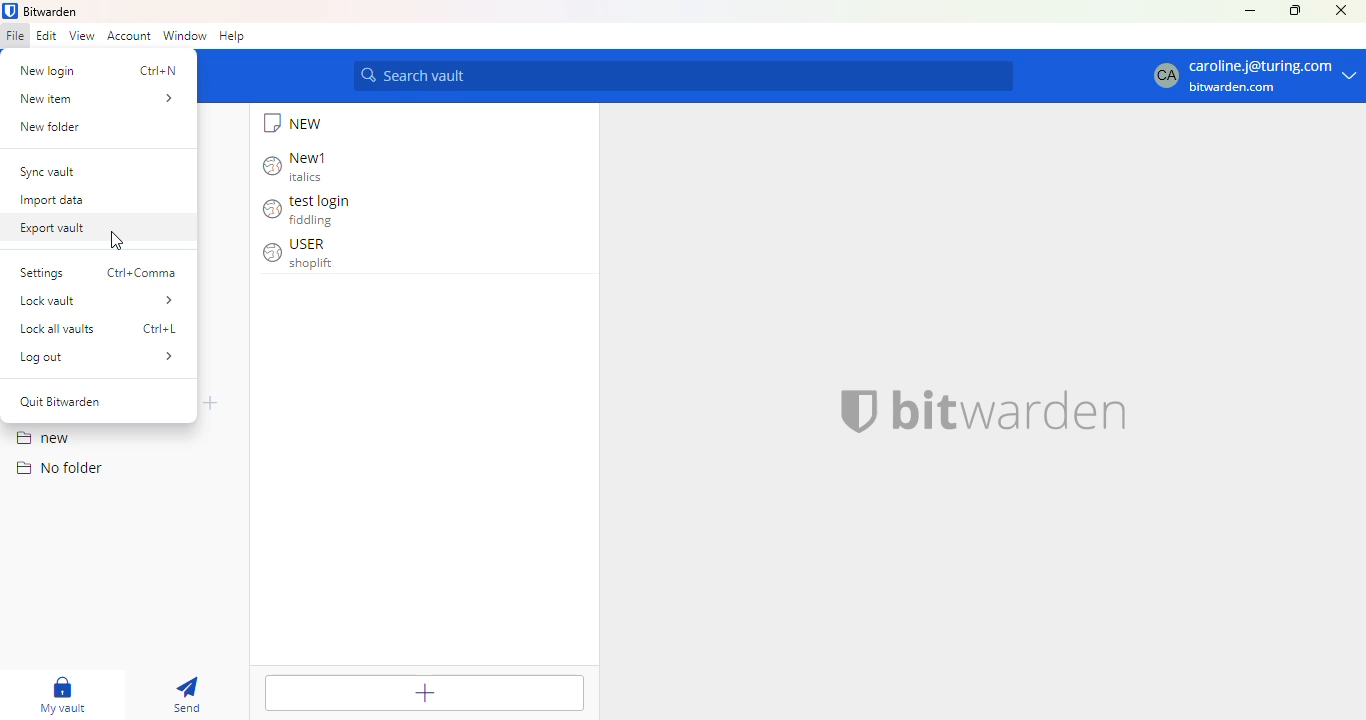 Image resolution: width=1366 pixels, height=720 pixels. Describe the element at coordinates (98, 357) in the screenshot. I see `logout` at that location.